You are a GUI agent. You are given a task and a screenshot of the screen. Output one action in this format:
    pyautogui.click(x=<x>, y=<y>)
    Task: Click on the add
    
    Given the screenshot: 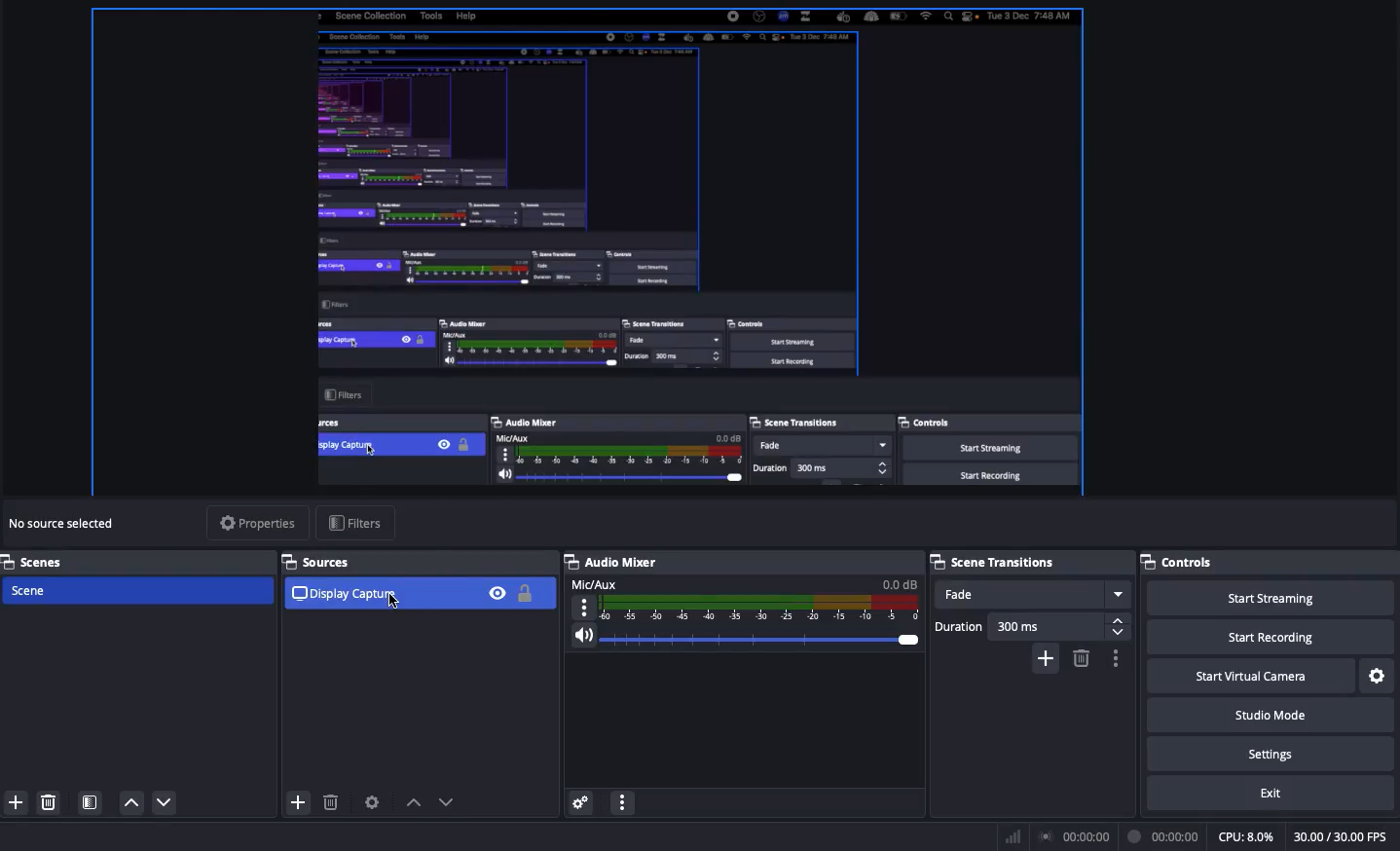 What is the action you would take?
    pyautogui.click(x=1048, y=663)
    